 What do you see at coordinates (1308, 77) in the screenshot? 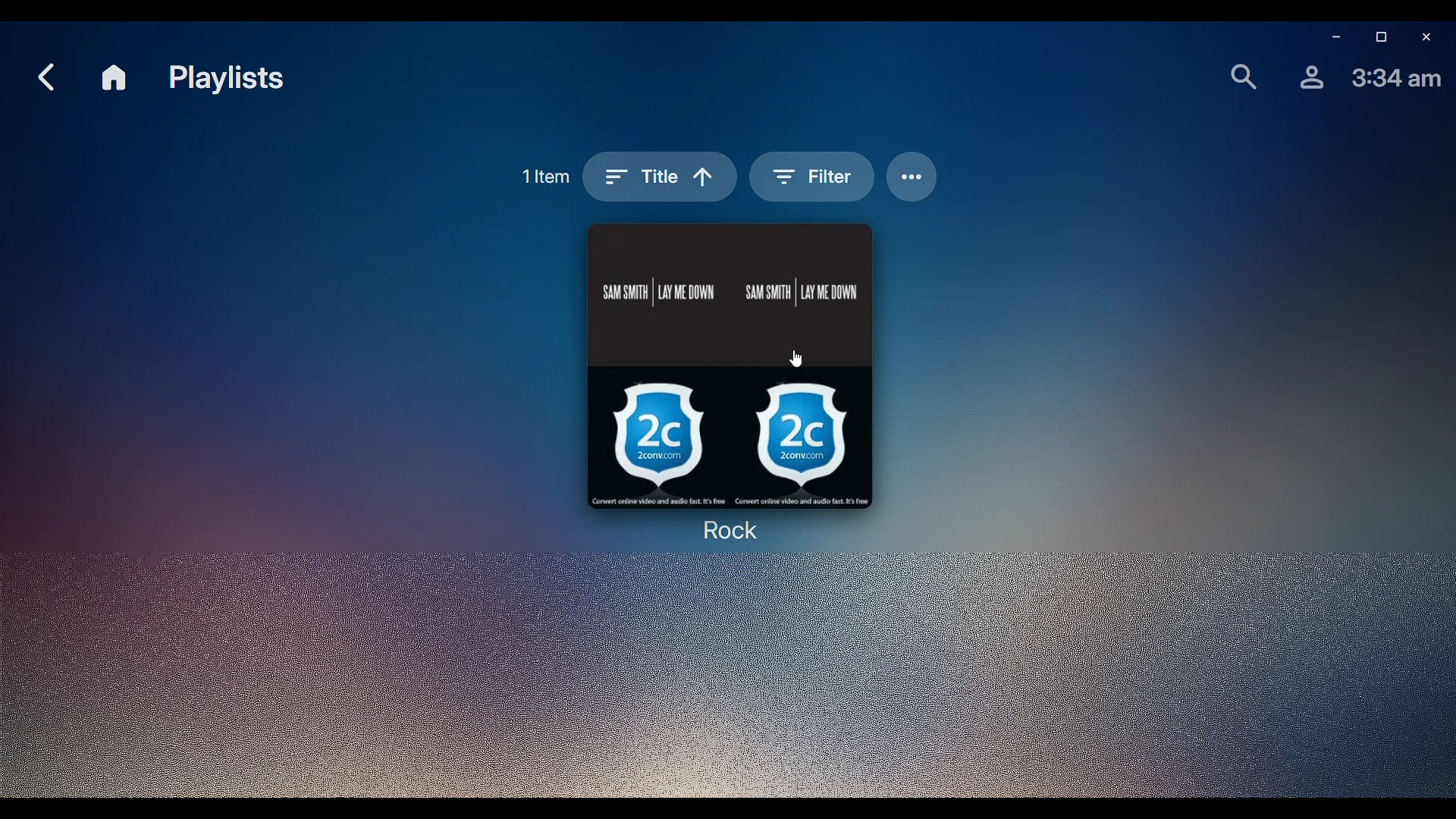
I see `Profile` at bounding box center [1308, 77].